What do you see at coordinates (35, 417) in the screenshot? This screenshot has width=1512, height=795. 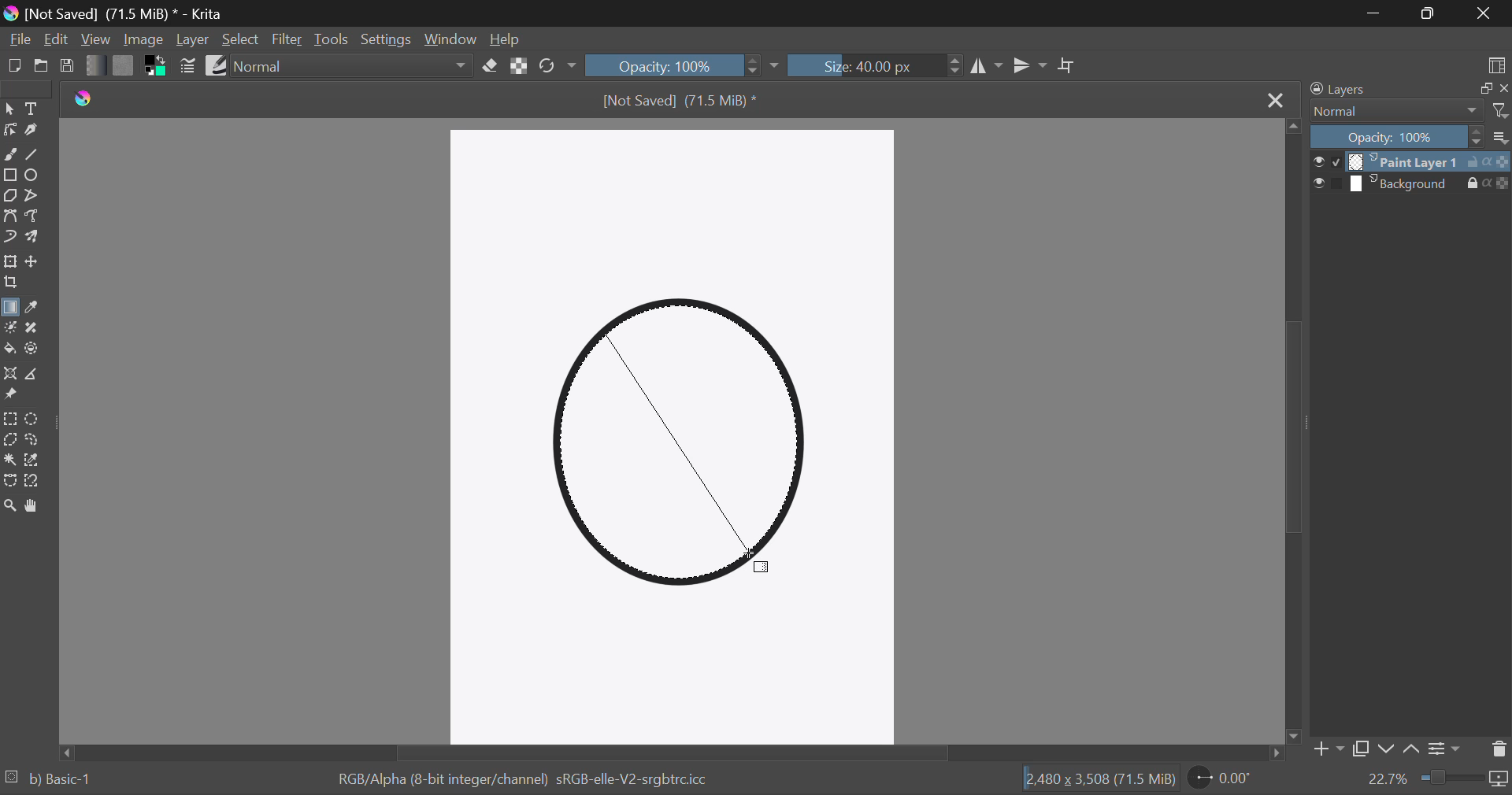 I see `Circular Selection` at bounding box center [35, 417].